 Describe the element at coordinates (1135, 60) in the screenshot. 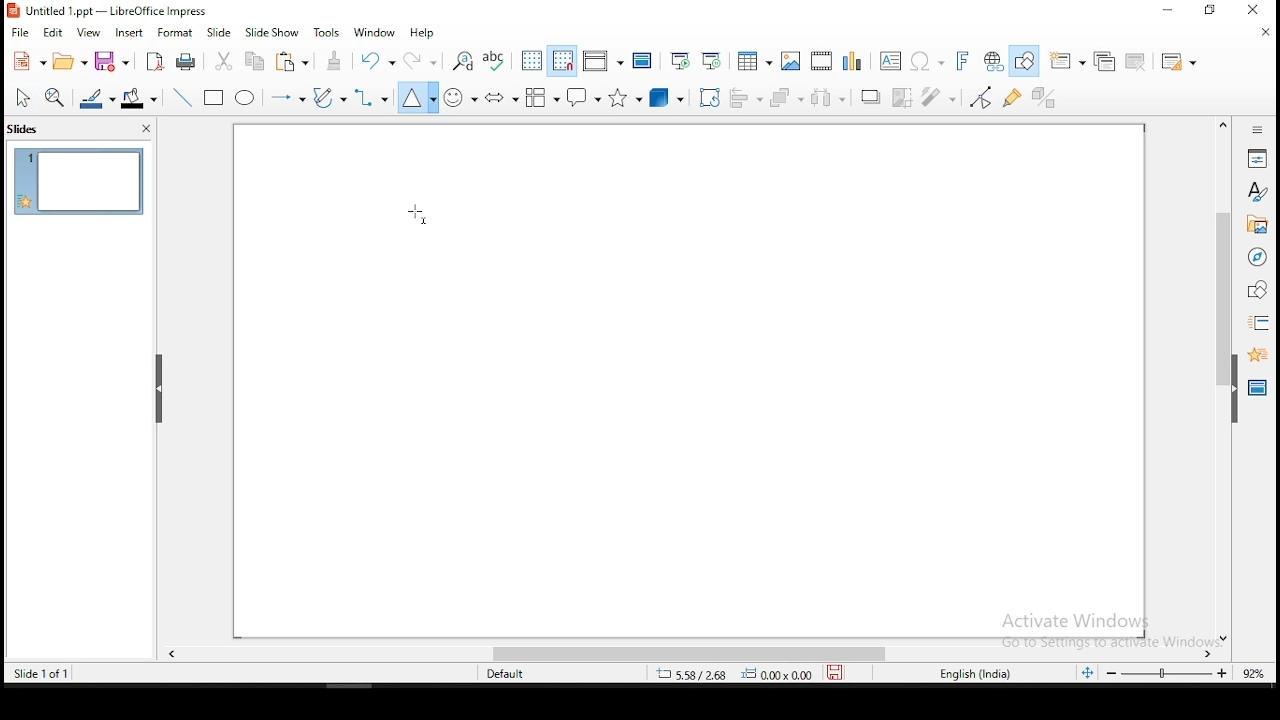

I see `delete slide` at that location.